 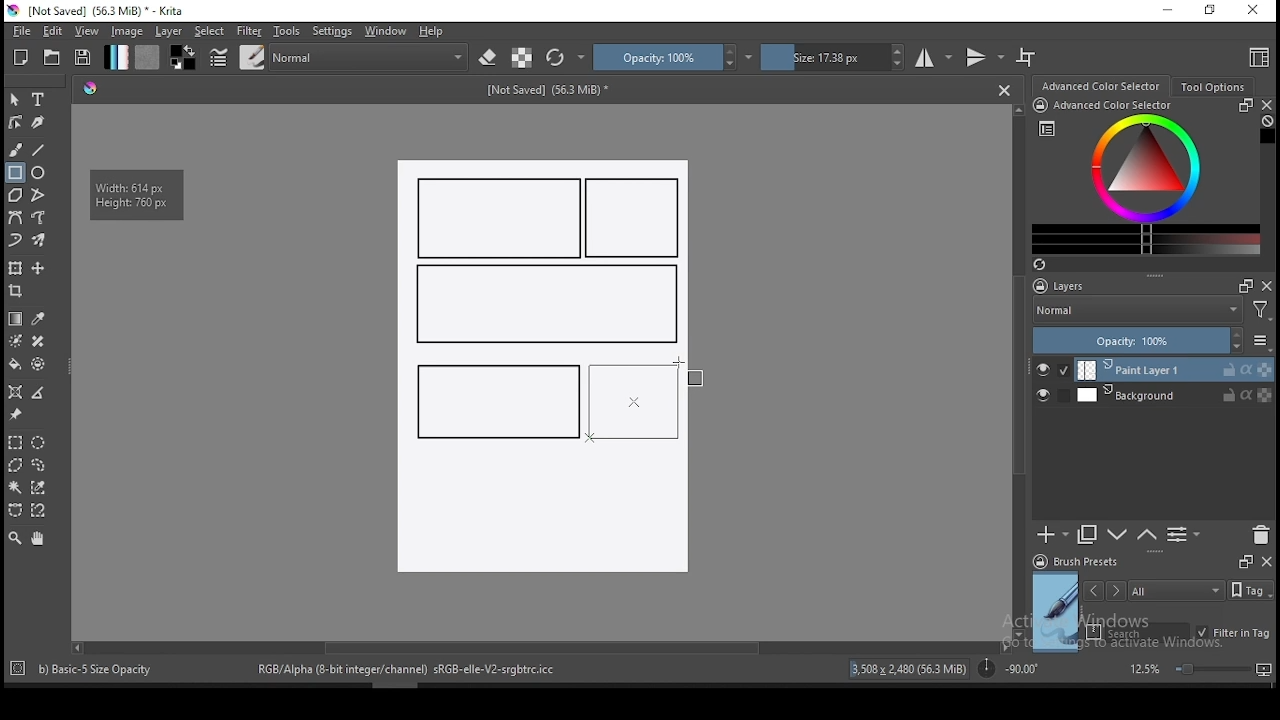 What do you see at coordinates (40, 242) in the screenshot?
I see `multibrush tool` at bounding box center [40, 242].